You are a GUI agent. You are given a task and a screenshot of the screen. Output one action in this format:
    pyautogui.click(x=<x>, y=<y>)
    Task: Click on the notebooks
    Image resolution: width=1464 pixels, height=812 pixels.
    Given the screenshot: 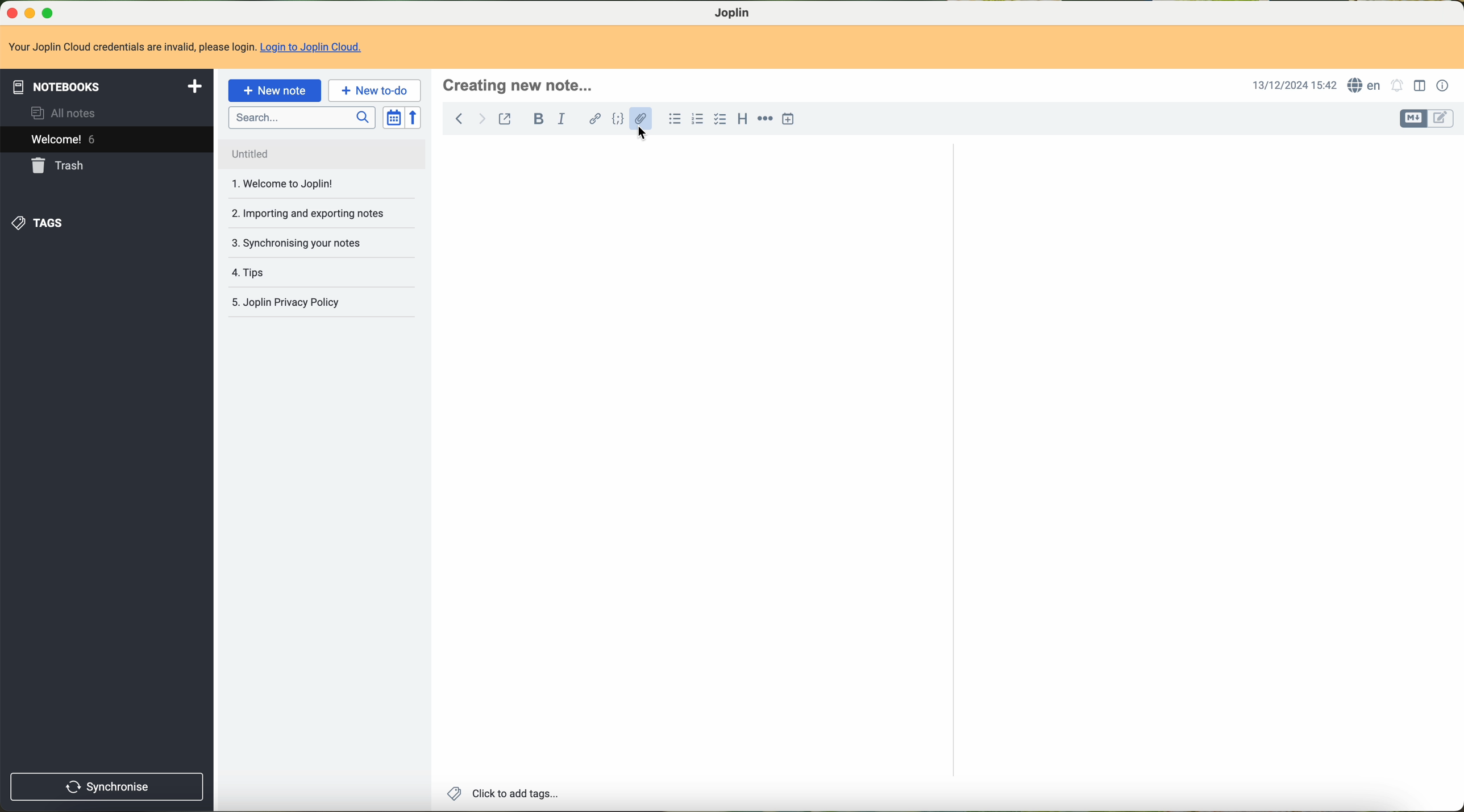 What is the action you would take?
    pyautogui.click(x=107, y=86)
    